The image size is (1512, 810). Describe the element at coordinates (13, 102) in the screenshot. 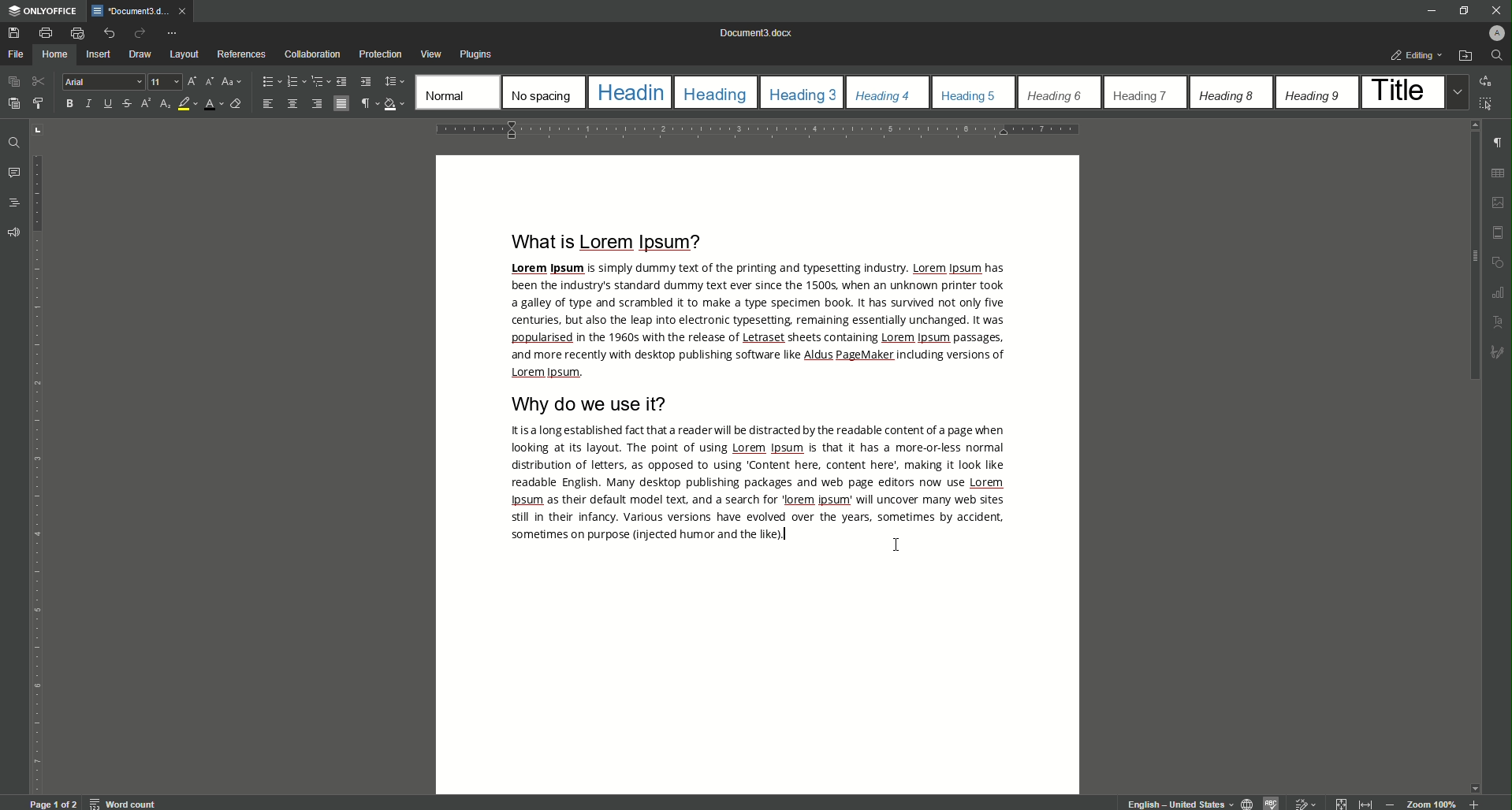

I see `Paste` at that location.